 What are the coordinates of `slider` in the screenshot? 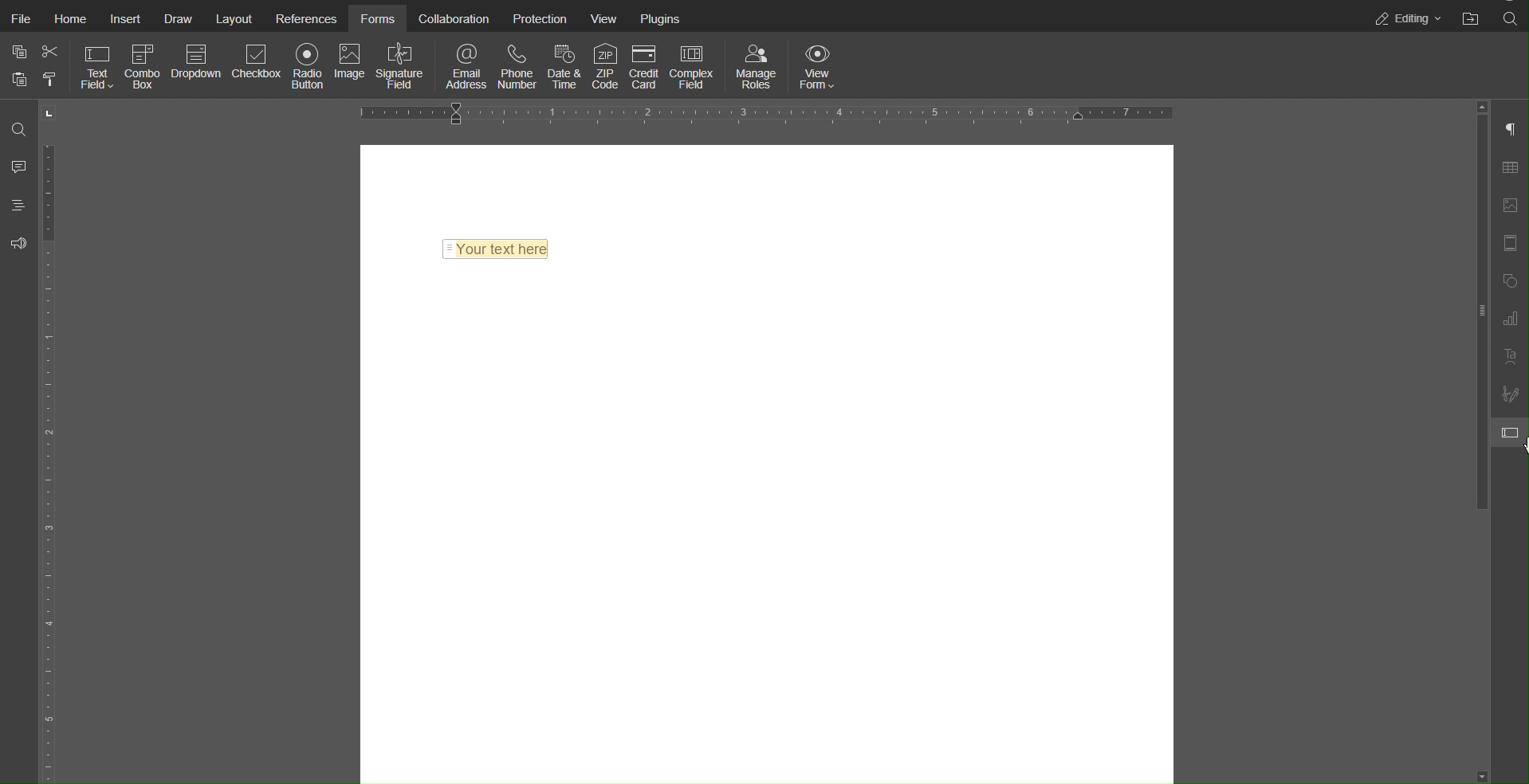 It's located at (1472, 279).